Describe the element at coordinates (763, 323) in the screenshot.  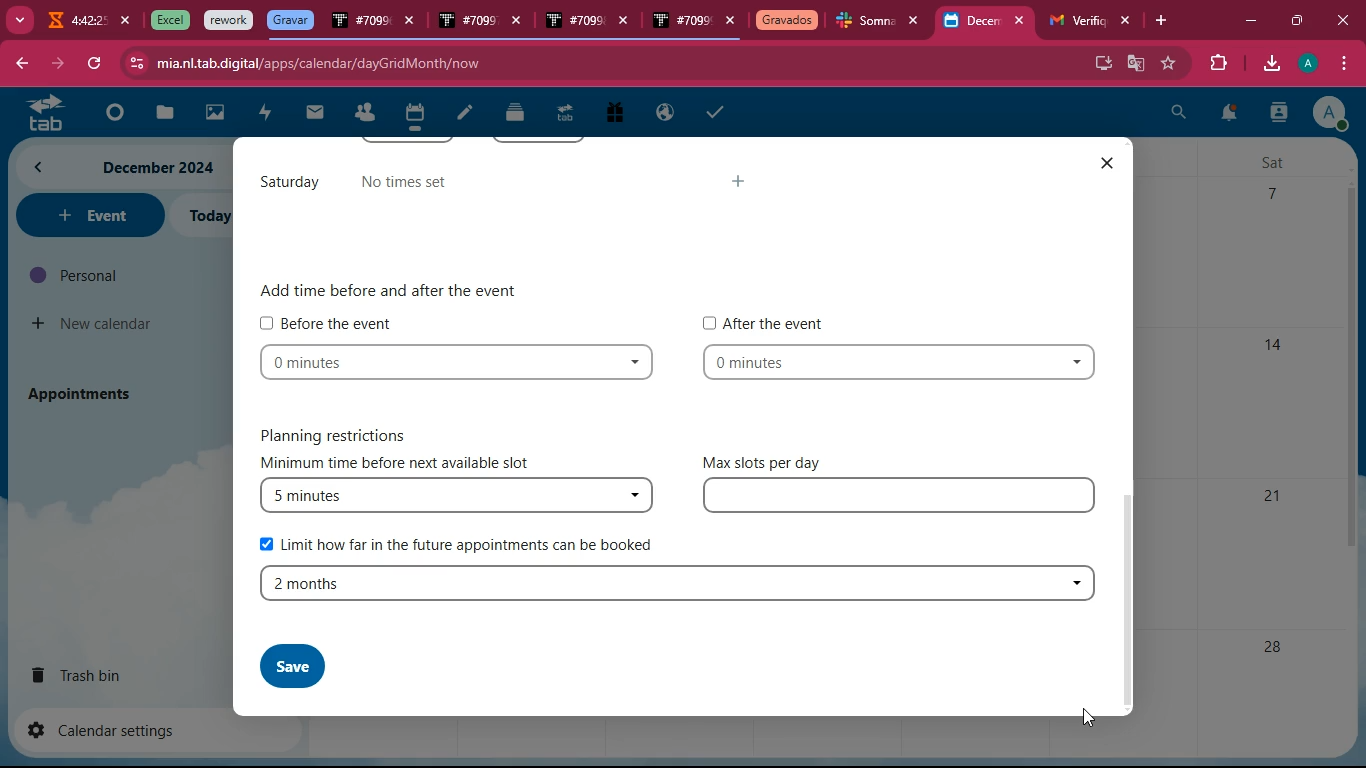
I see `After the event` at that location.